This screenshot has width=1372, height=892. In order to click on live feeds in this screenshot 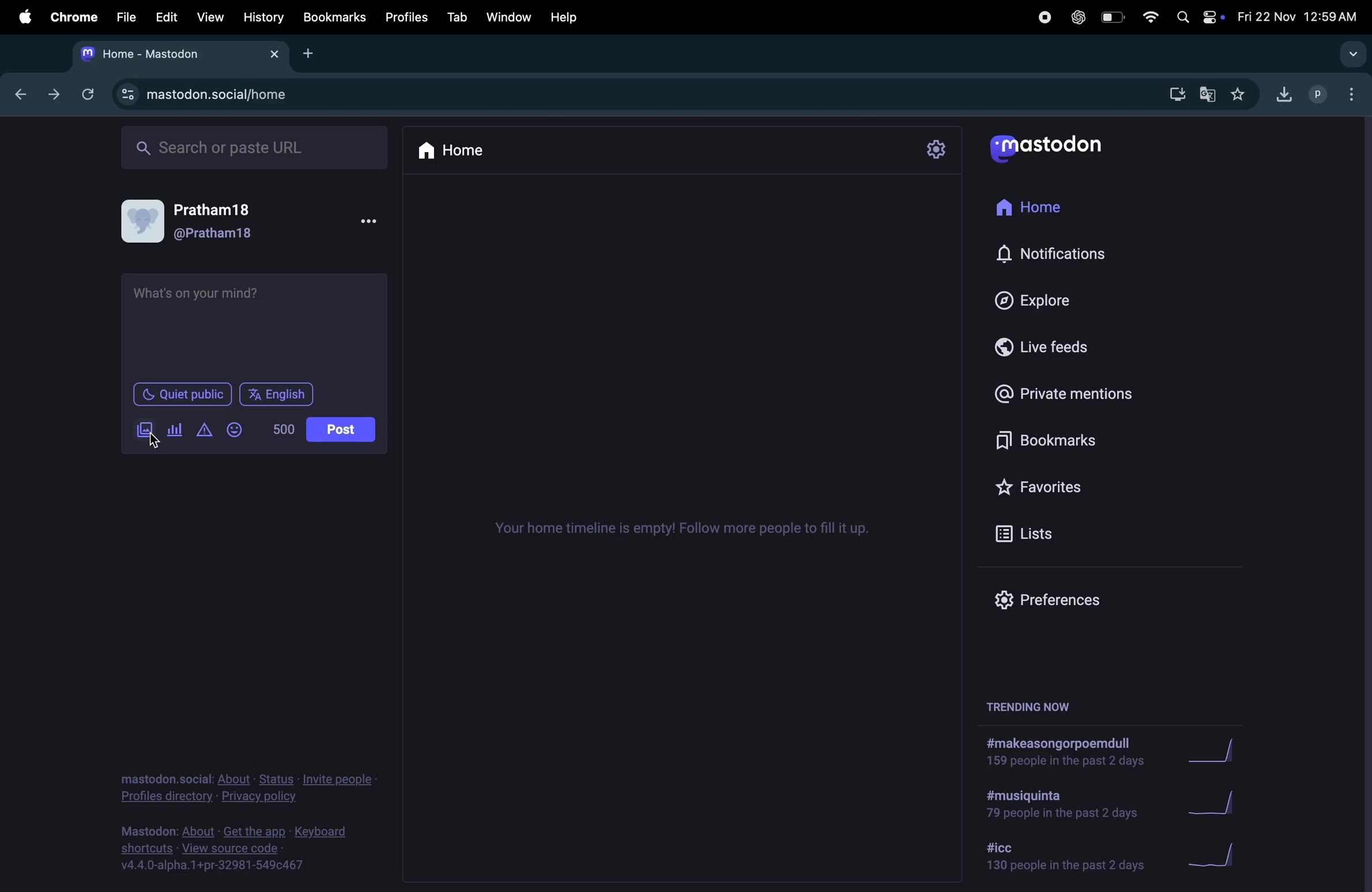, I will do `click(1064, 347)`.